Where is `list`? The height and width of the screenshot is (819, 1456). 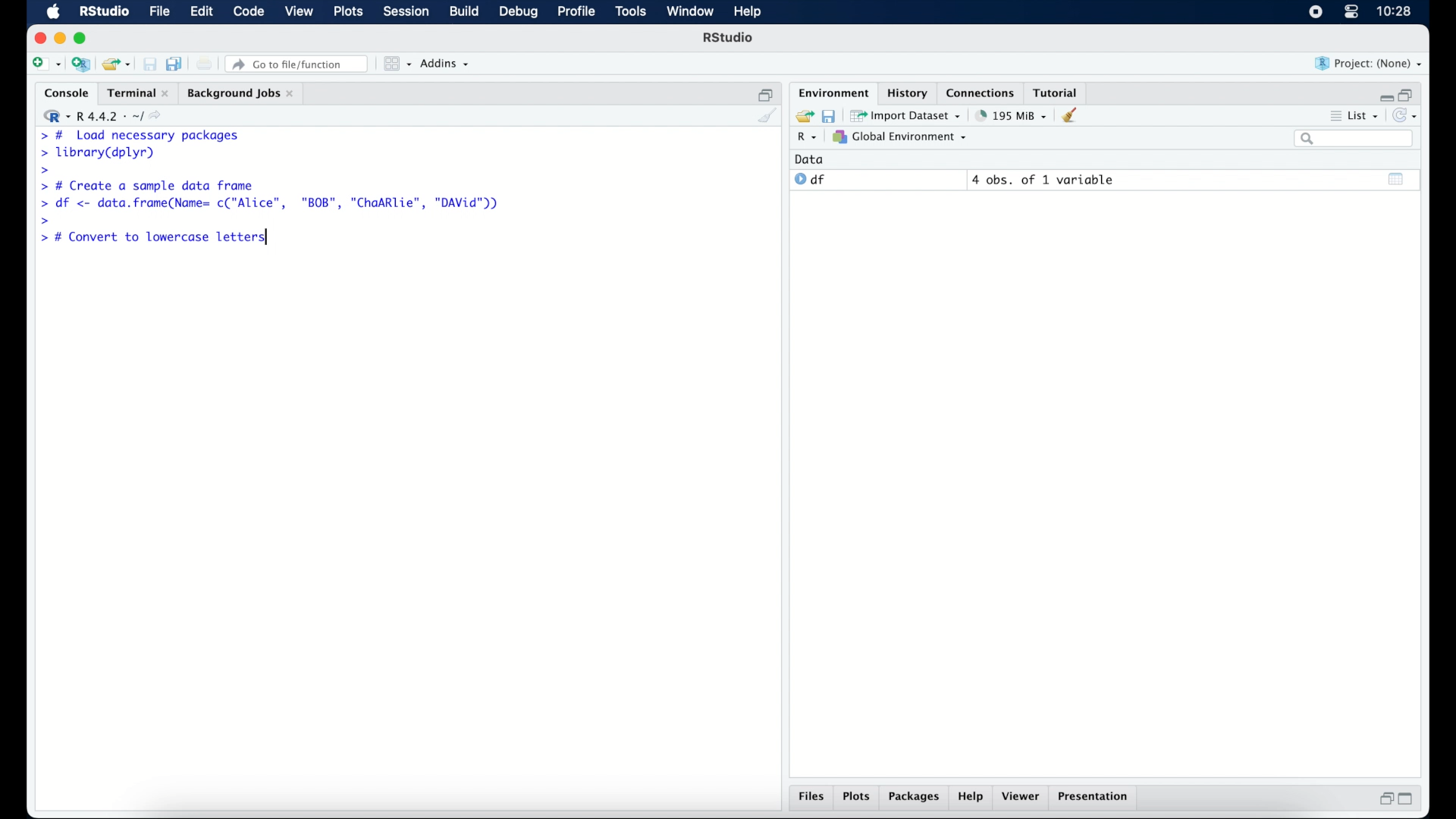 list is located at coordinates (1353, 118).